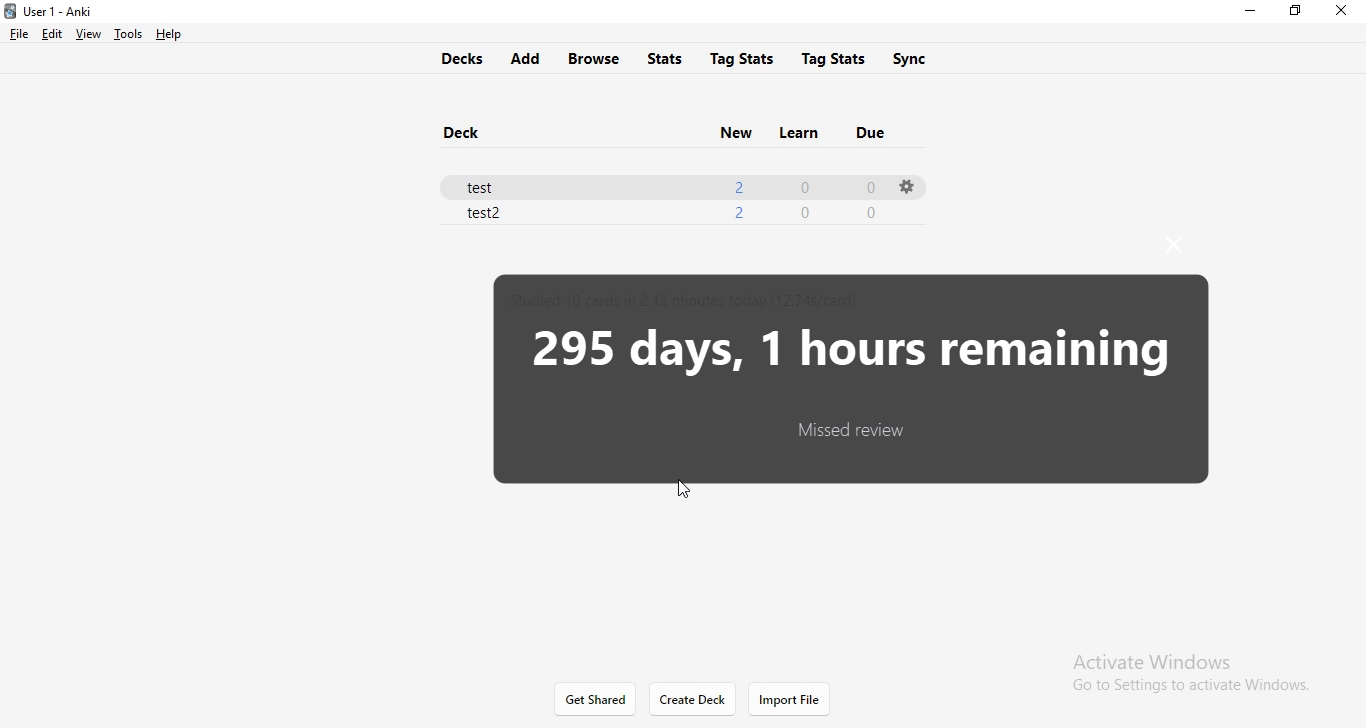 This screenshot has width=1366, height=728. I want to click on 0, so click(868, 212).